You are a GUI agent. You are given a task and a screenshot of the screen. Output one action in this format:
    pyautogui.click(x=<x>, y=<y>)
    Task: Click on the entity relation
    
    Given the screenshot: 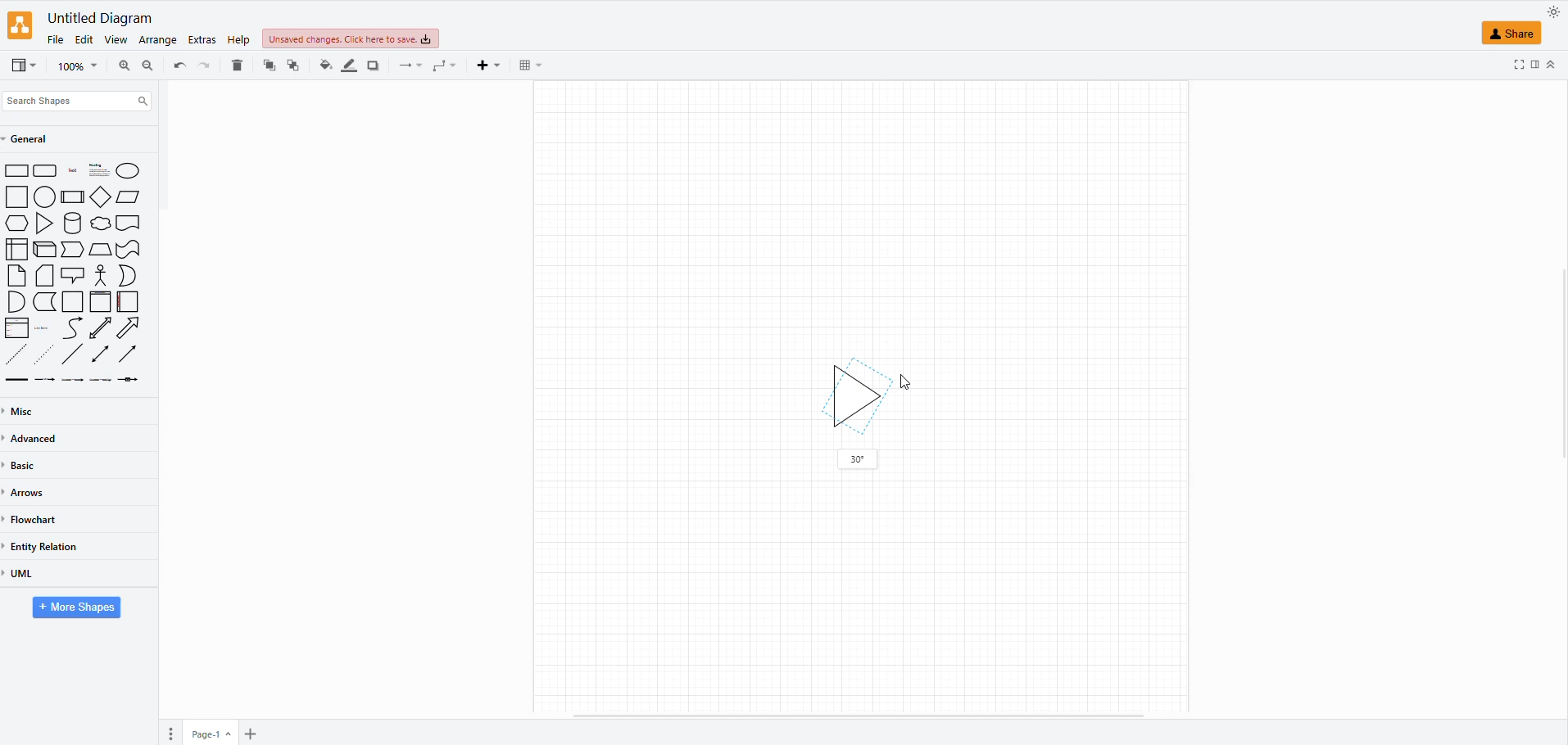 What is the action you would take?
    pyautogui.click(x=53, y=542)
    